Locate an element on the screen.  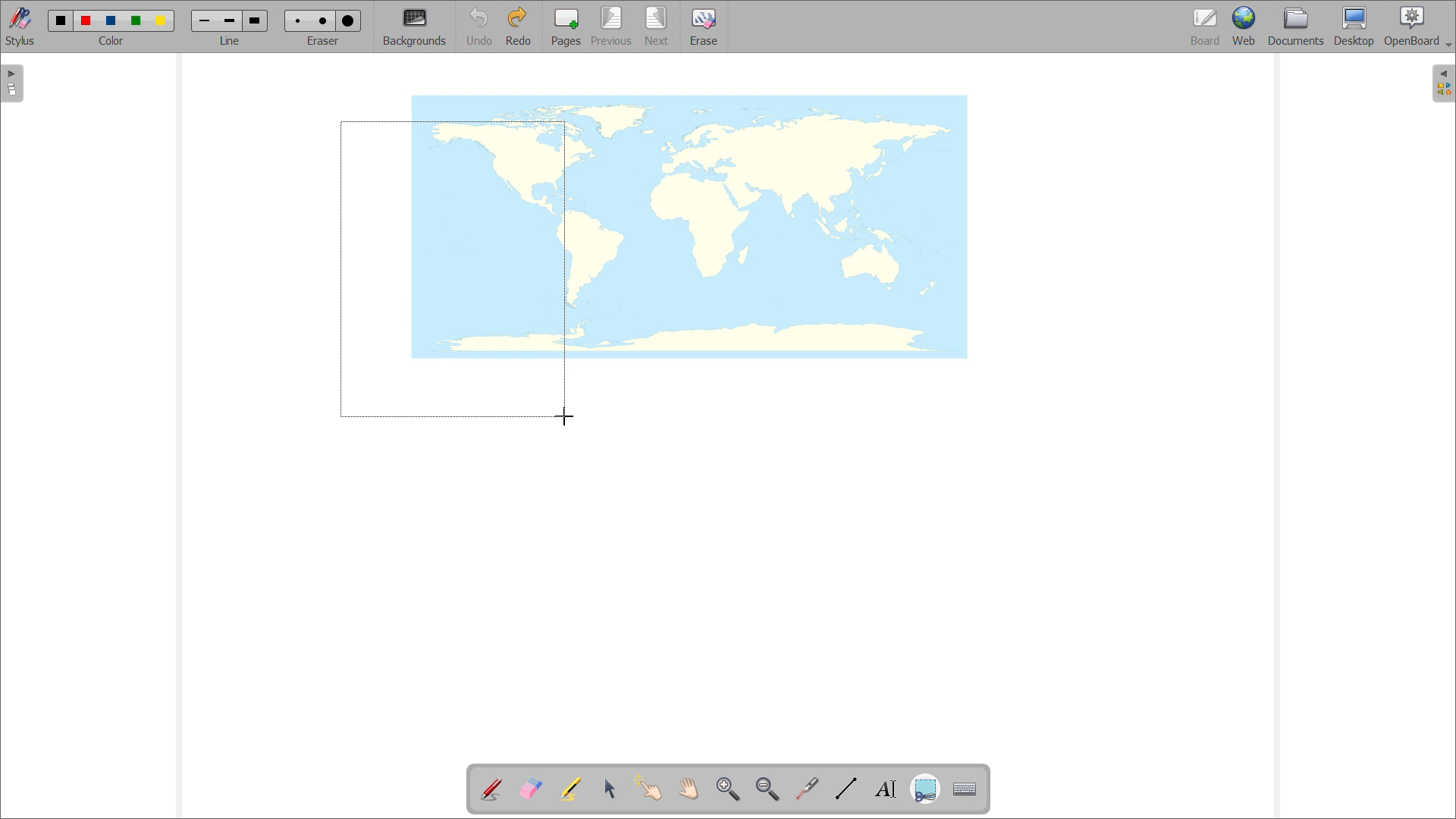
backgrounds is located at coordinates (415, 27).